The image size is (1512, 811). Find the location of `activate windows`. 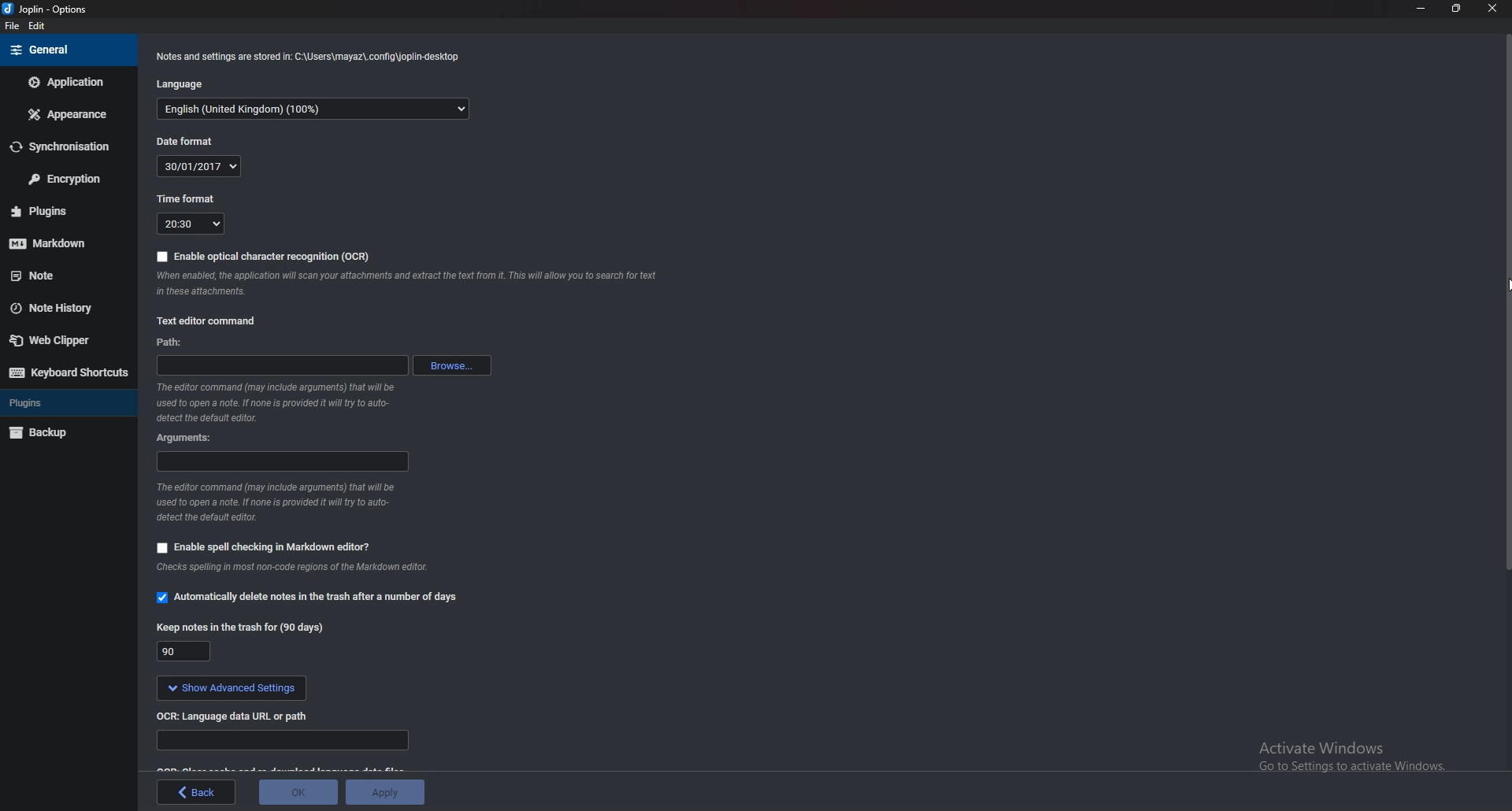

activate windows is located at coordinates (1342, 751).